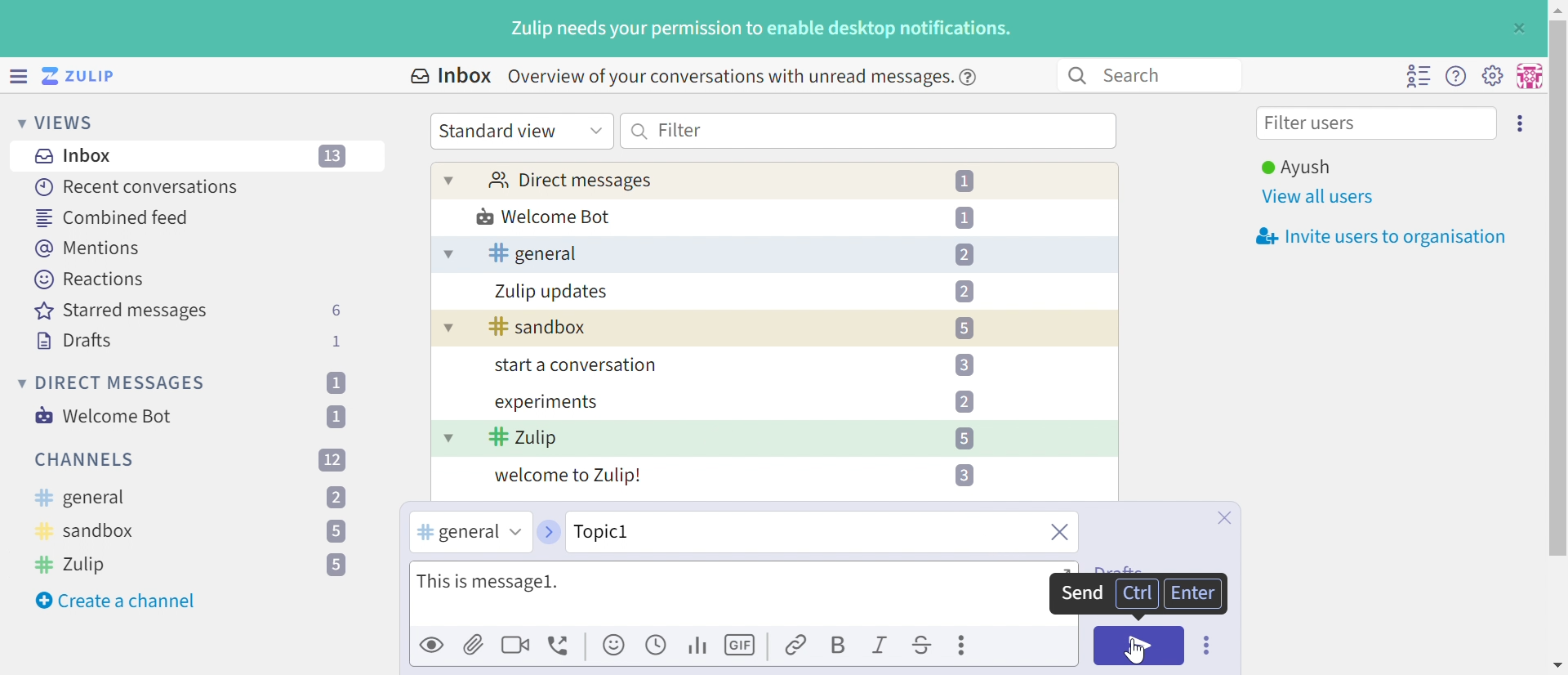 Image resolution: width=1568 pixels, height=675 pixels. Describe the element at coordinates (336, 565) in the screenshot. I see `5` at that location.